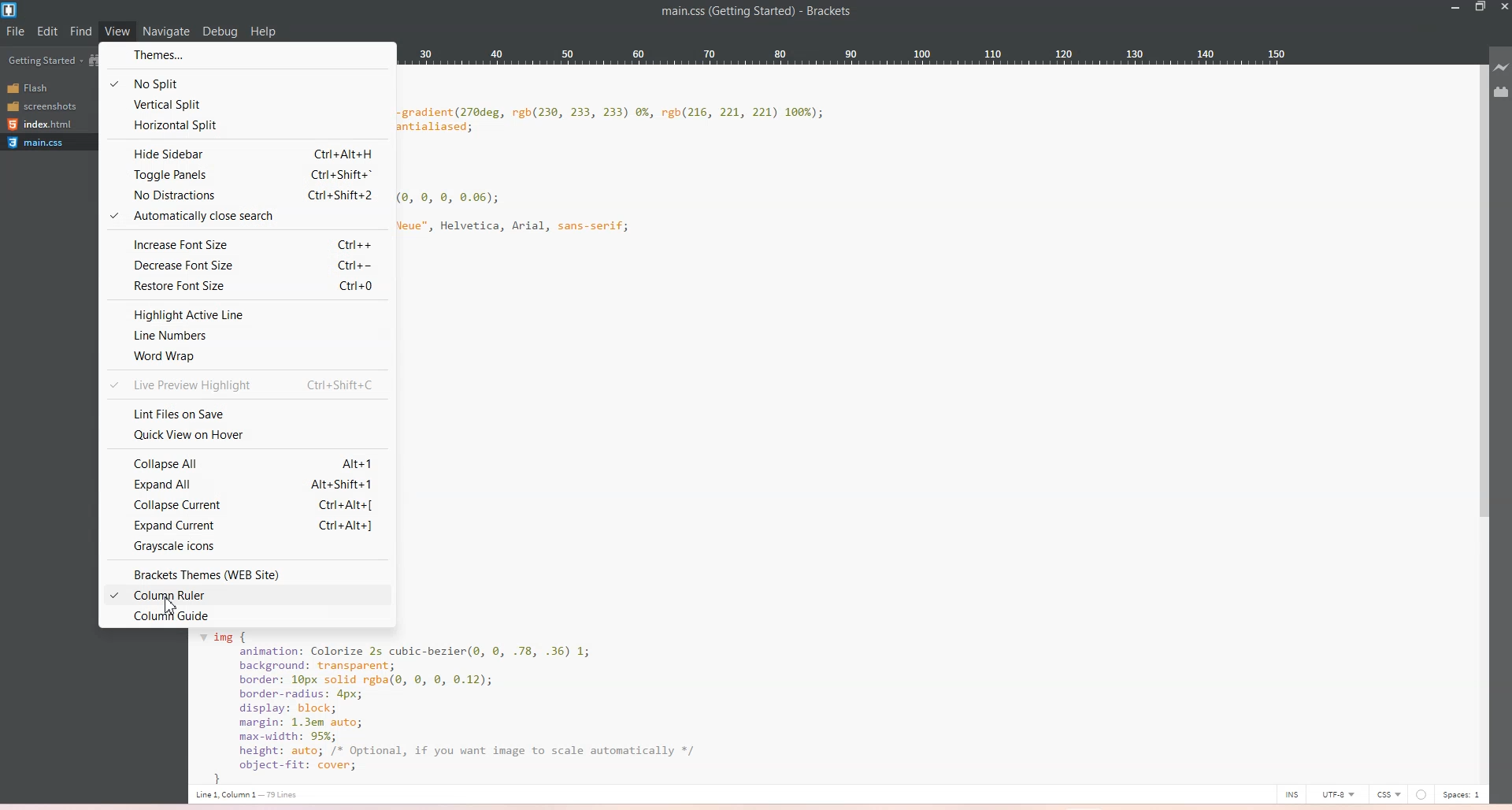 The height and width of the screenshot is (810, 1512). What do you see at coordinates (247, 243) in the screenshot?
I see `Increase font size` at bounding box center [247, 243].